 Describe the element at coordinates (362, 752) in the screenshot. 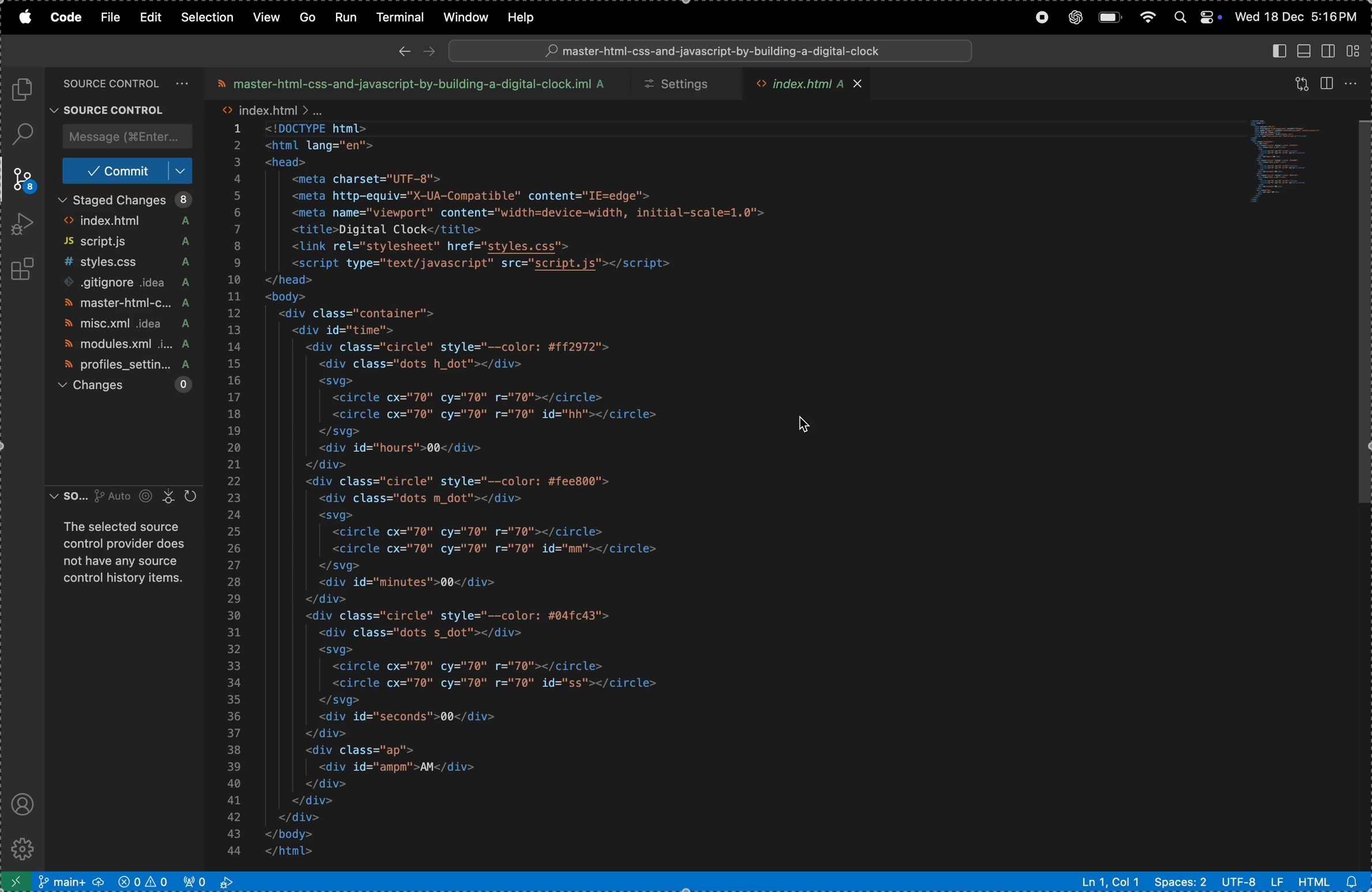

I see `<div class="ap">` at that location.